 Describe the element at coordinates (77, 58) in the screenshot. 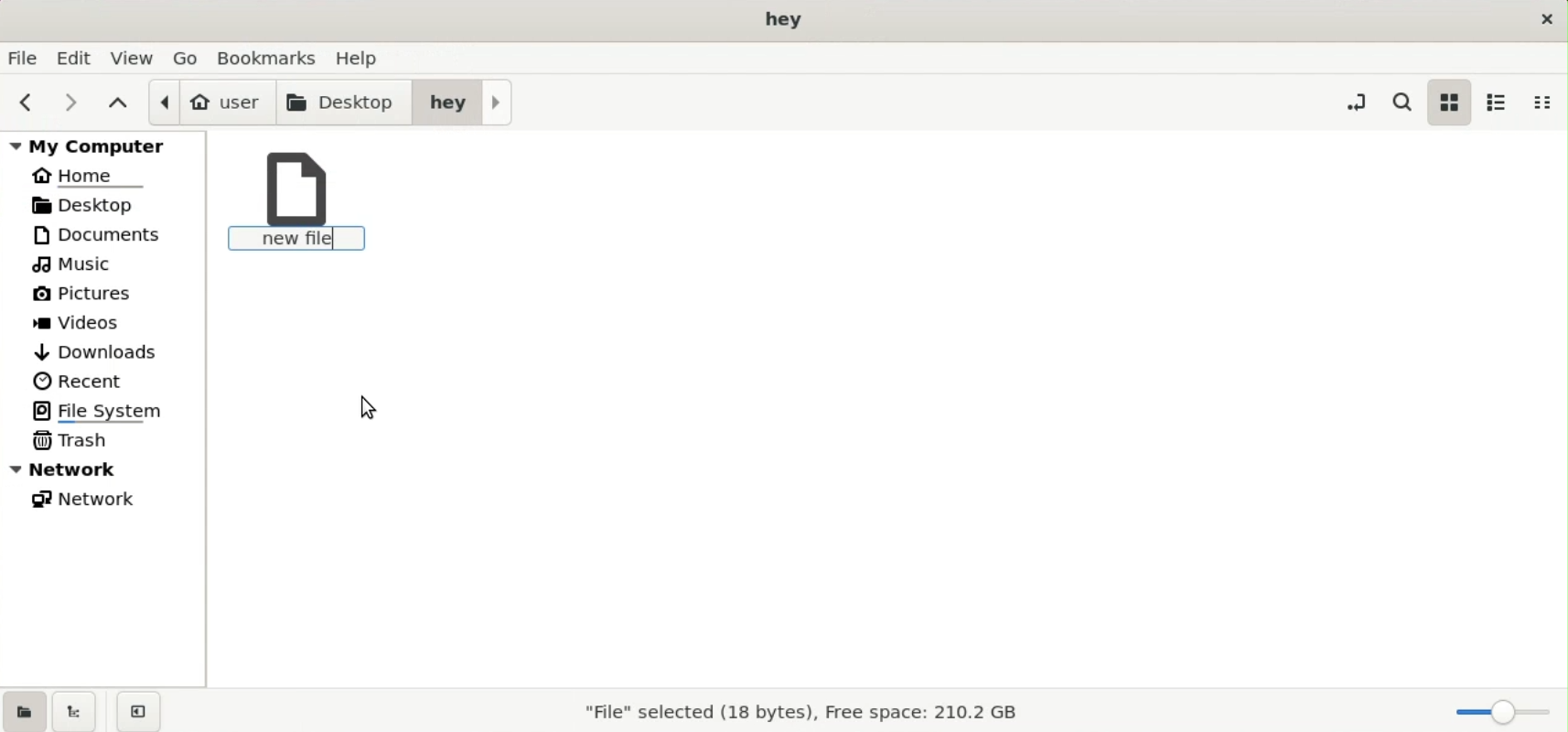

I see `edit` at that location.